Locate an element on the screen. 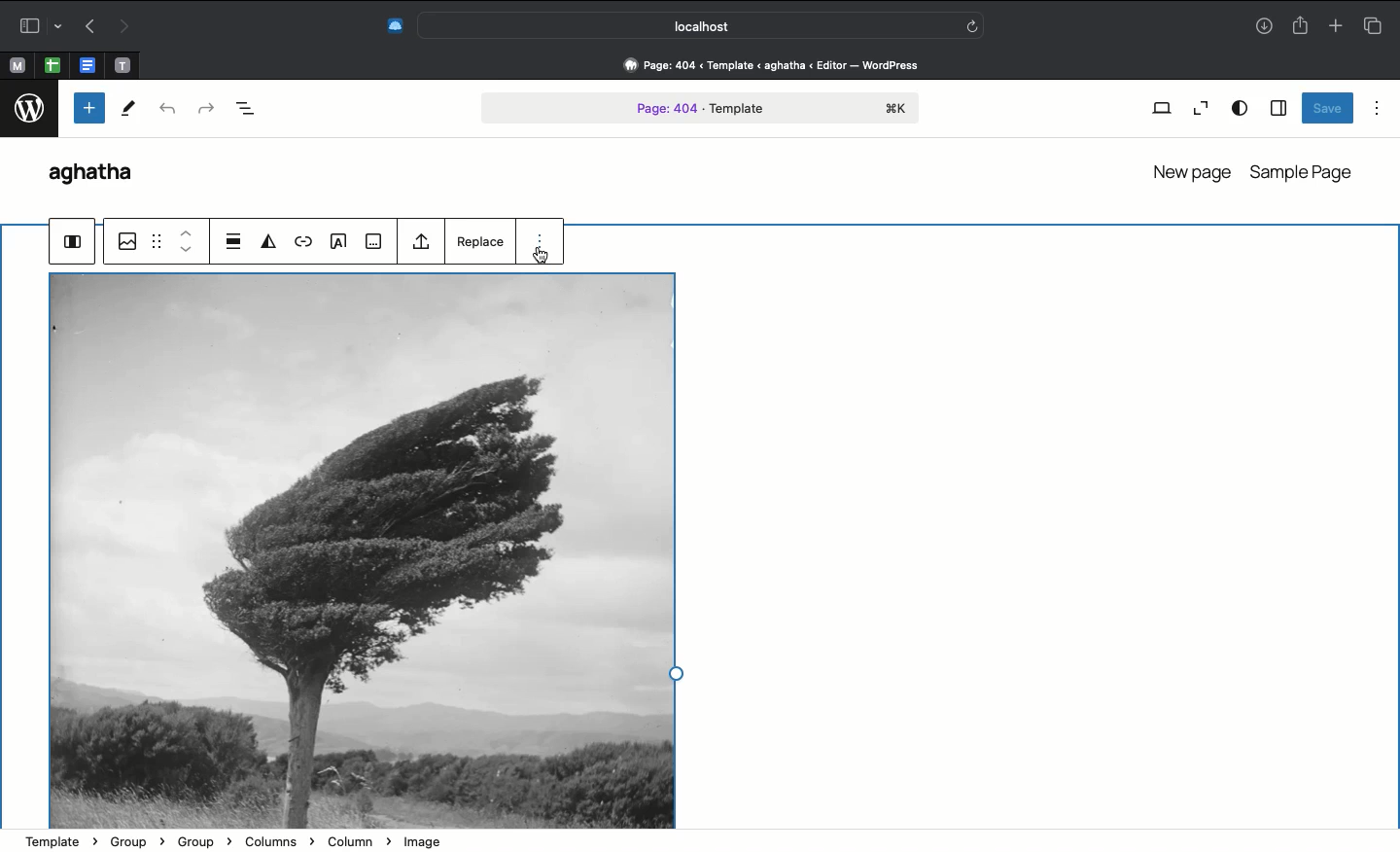 This screenshot has height=852, width=1400. Group is located at coordinates (73, 243).